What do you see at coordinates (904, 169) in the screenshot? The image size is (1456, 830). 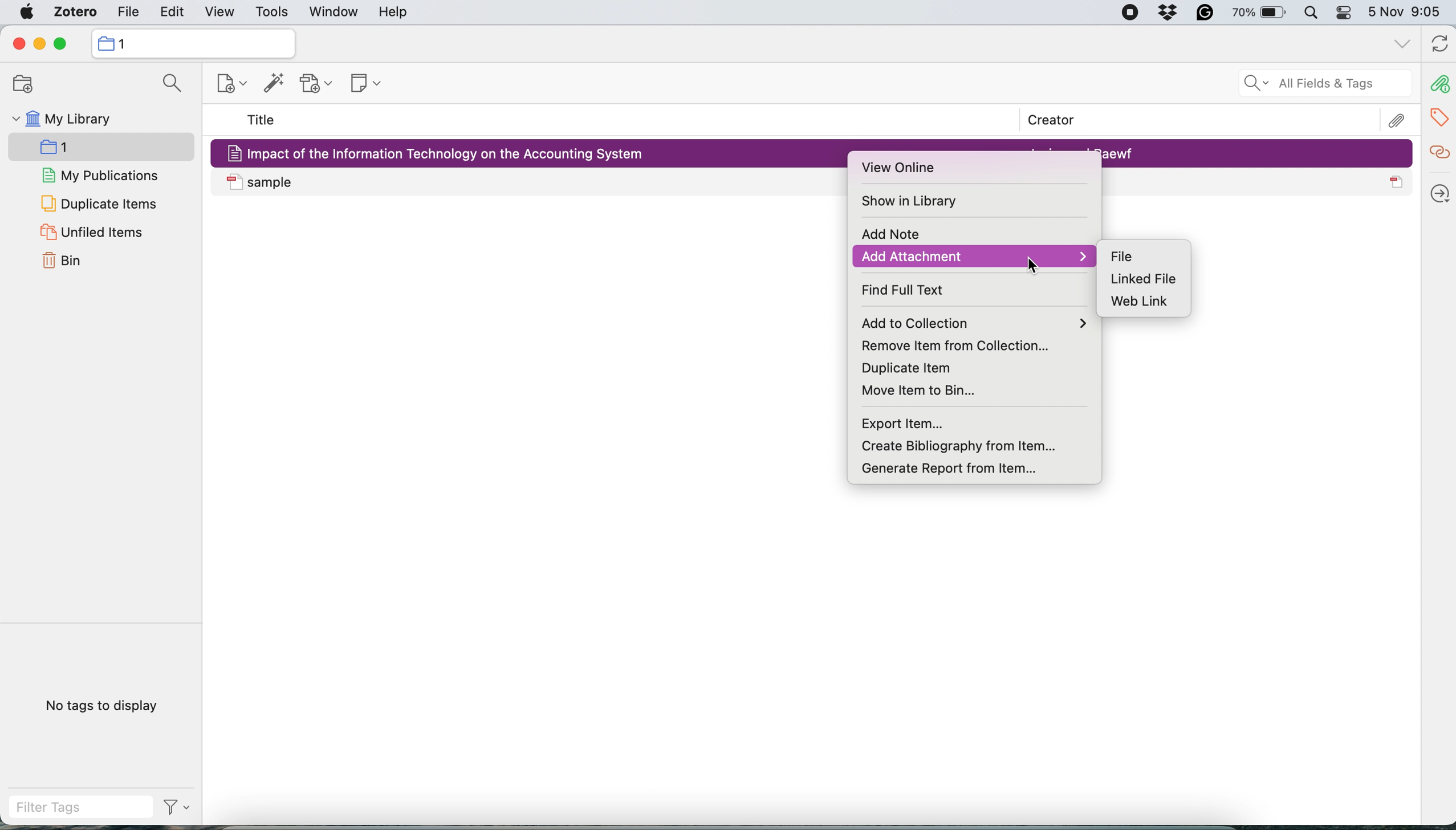 I see `view online` at bounding box center [904, 169].